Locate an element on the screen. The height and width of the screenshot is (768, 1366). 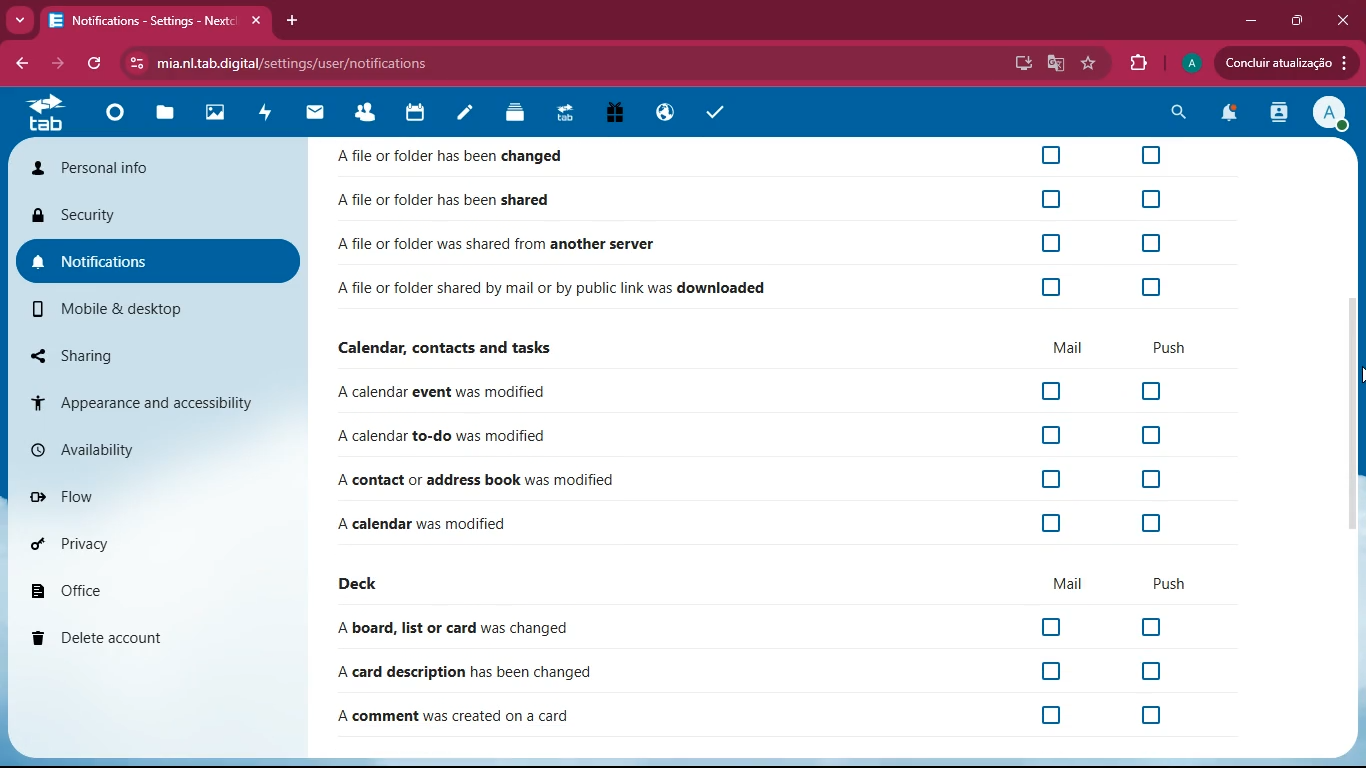
A file or folder shared by mail or by public link was downloaded is located at coordinates (555, 290).